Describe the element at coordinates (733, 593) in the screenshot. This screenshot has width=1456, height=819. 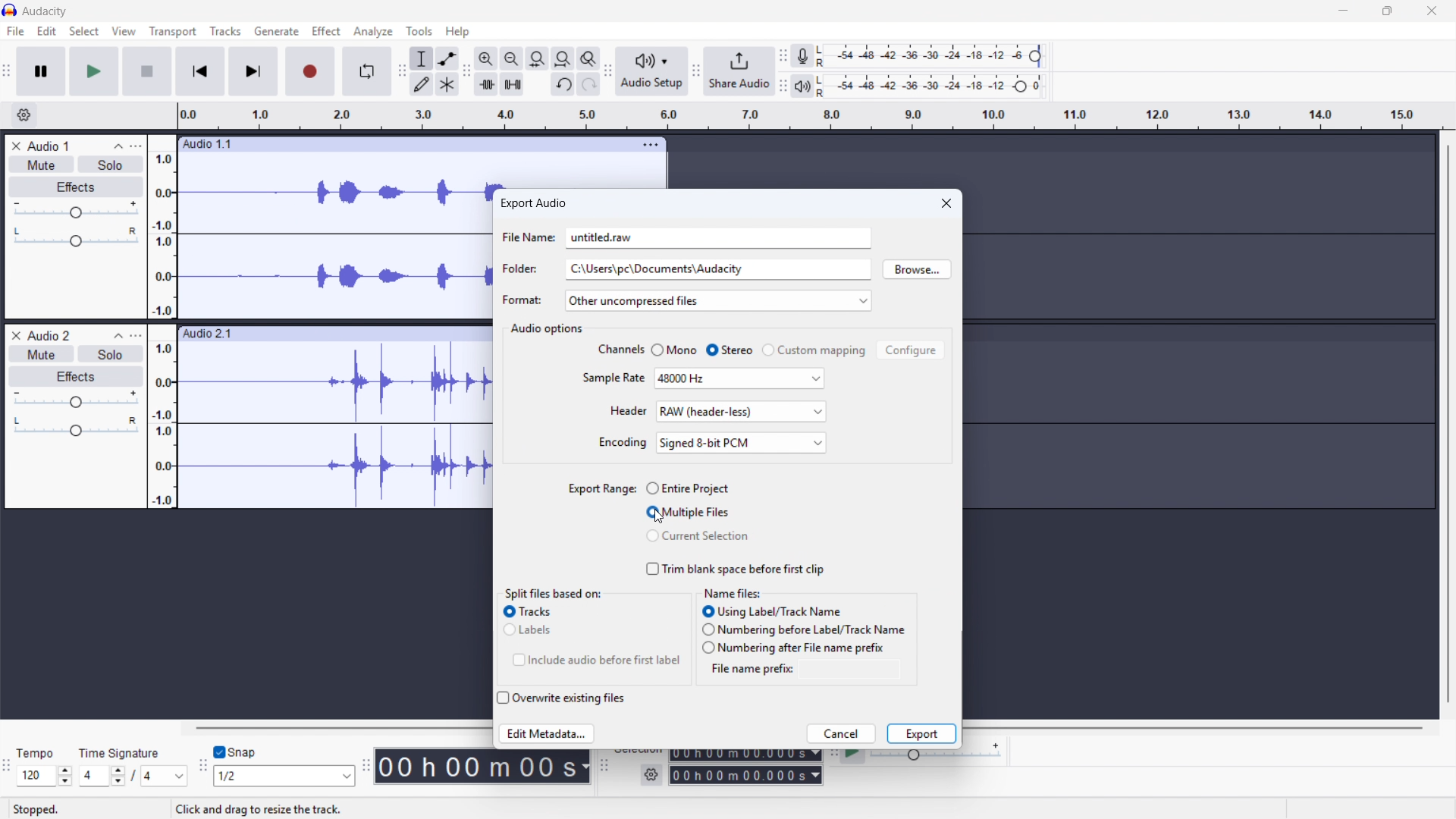
I see `Name files:` at that location.